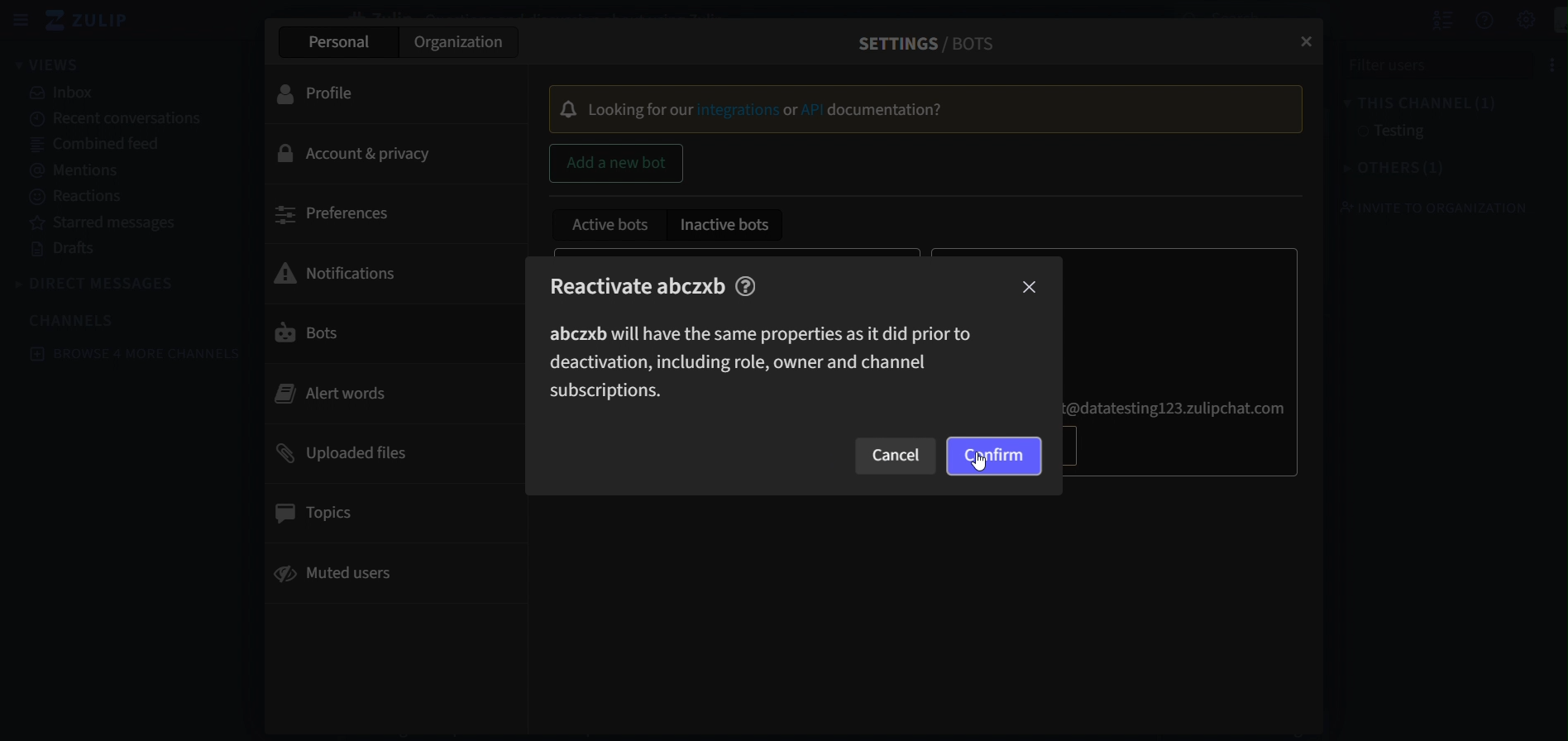 This screenshot has width=1568, height=741. What do you see at coordinates (566, 108) in the screenshot?
I see `Bell Icon` at bounding box center [566, 108].